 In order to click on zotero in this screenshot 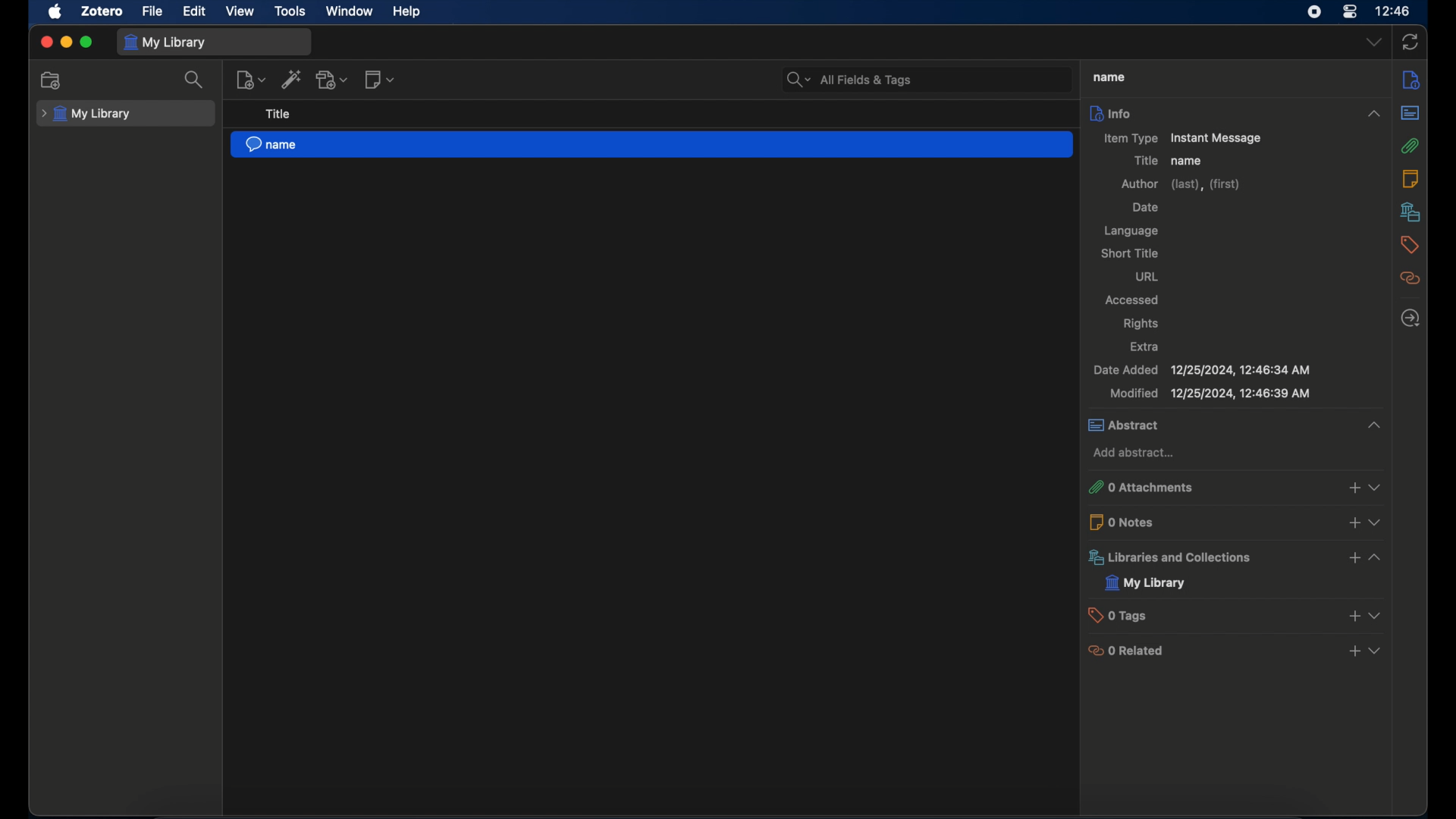, I will do `click(103, 11)`.